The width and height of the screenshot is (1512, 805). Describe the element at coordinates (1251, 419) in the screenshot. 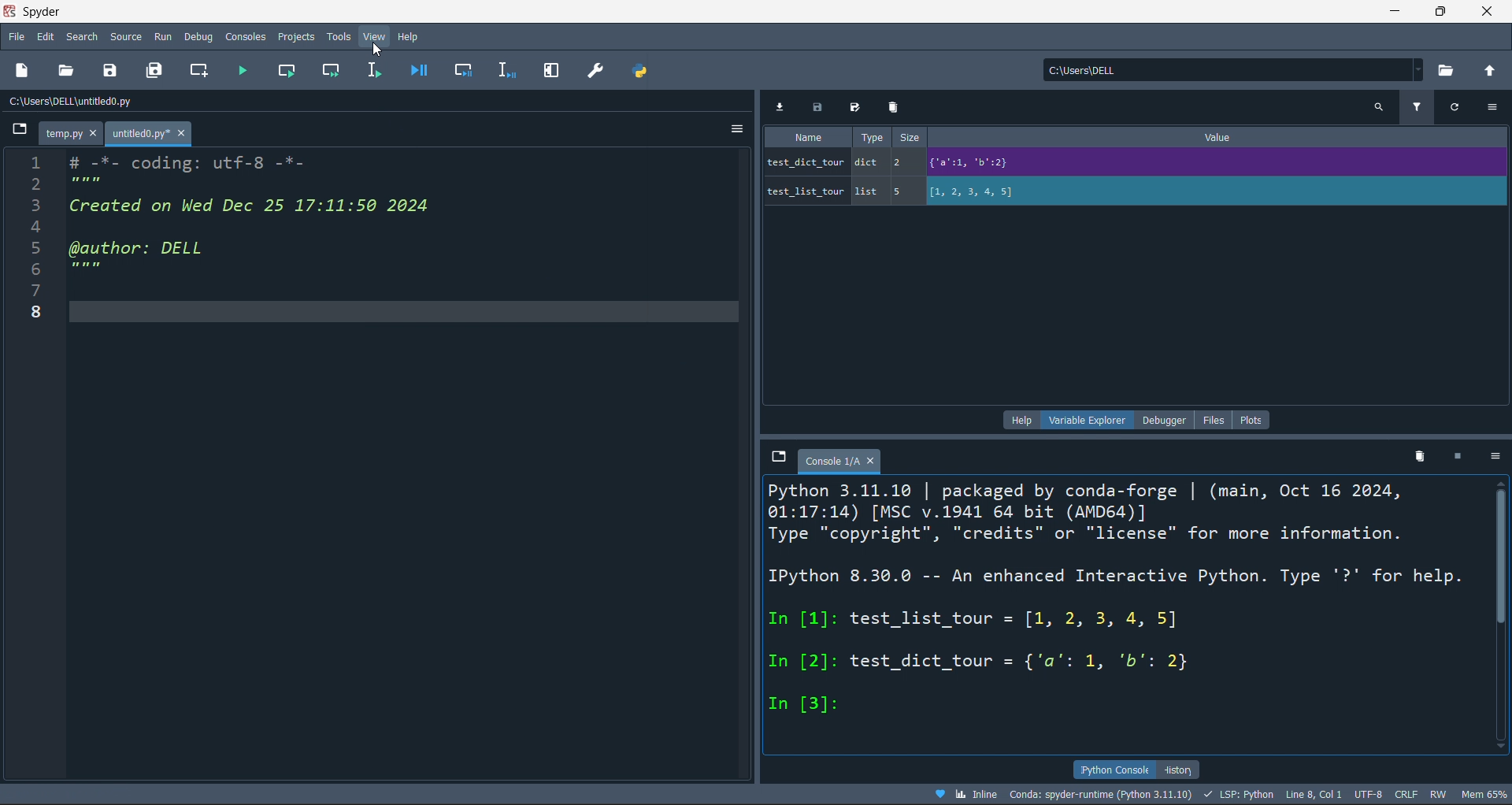

I see `plots` at that location.